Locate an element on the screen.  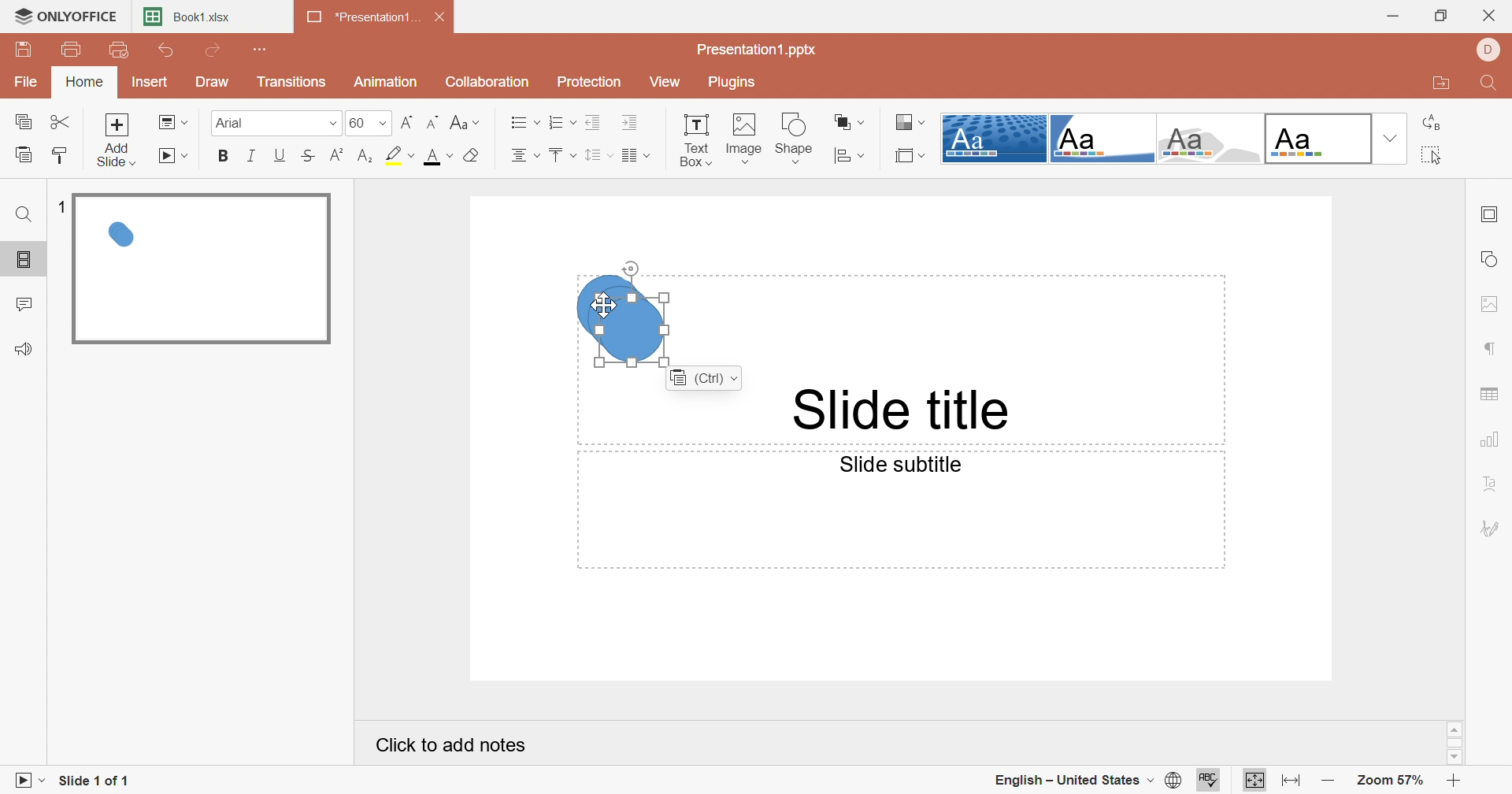
Numbering is located at coordinates (561, 121).